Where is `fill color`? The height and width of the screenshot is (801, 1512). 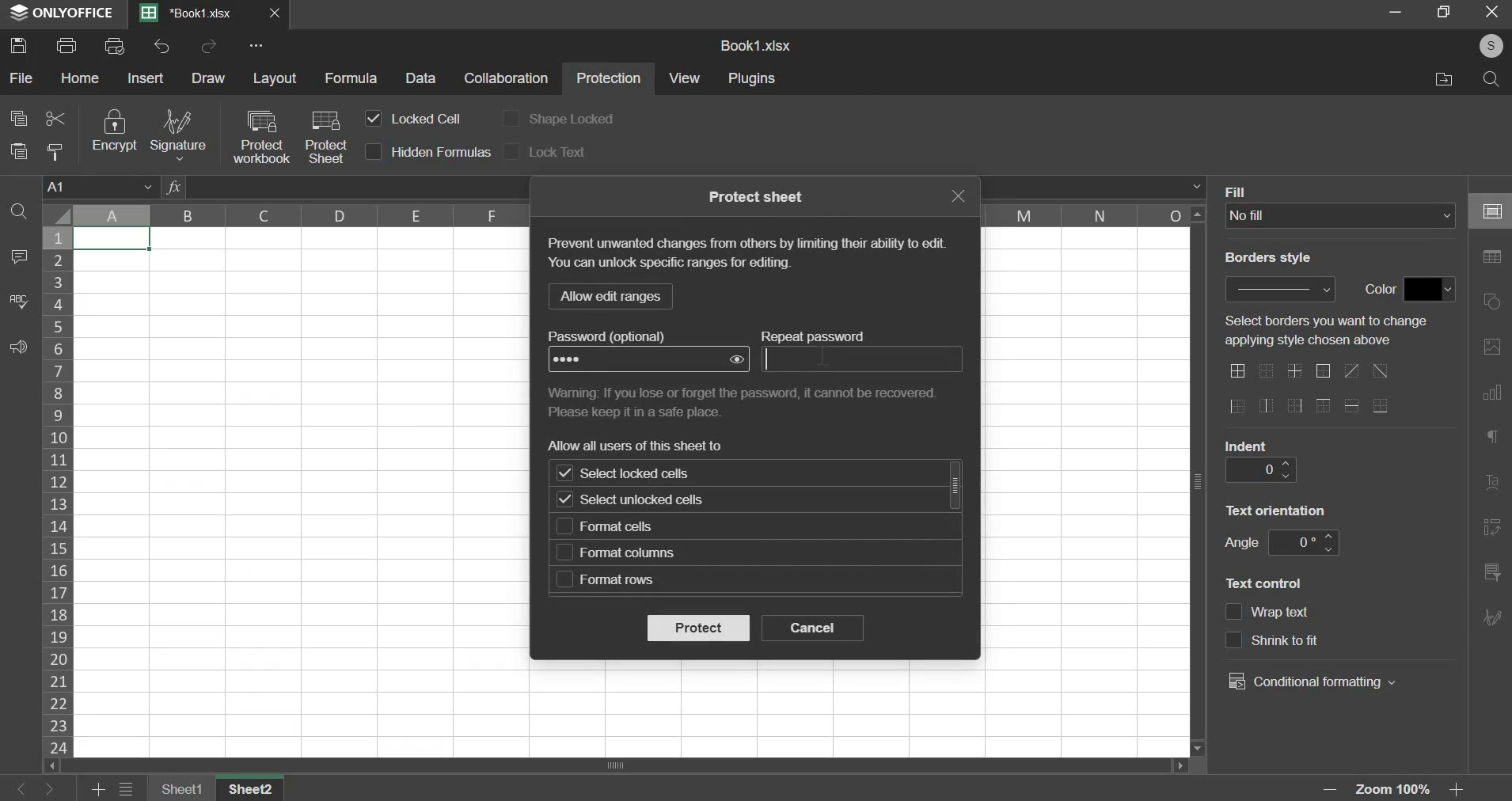 fill color is located at coordinates (1430, 289).